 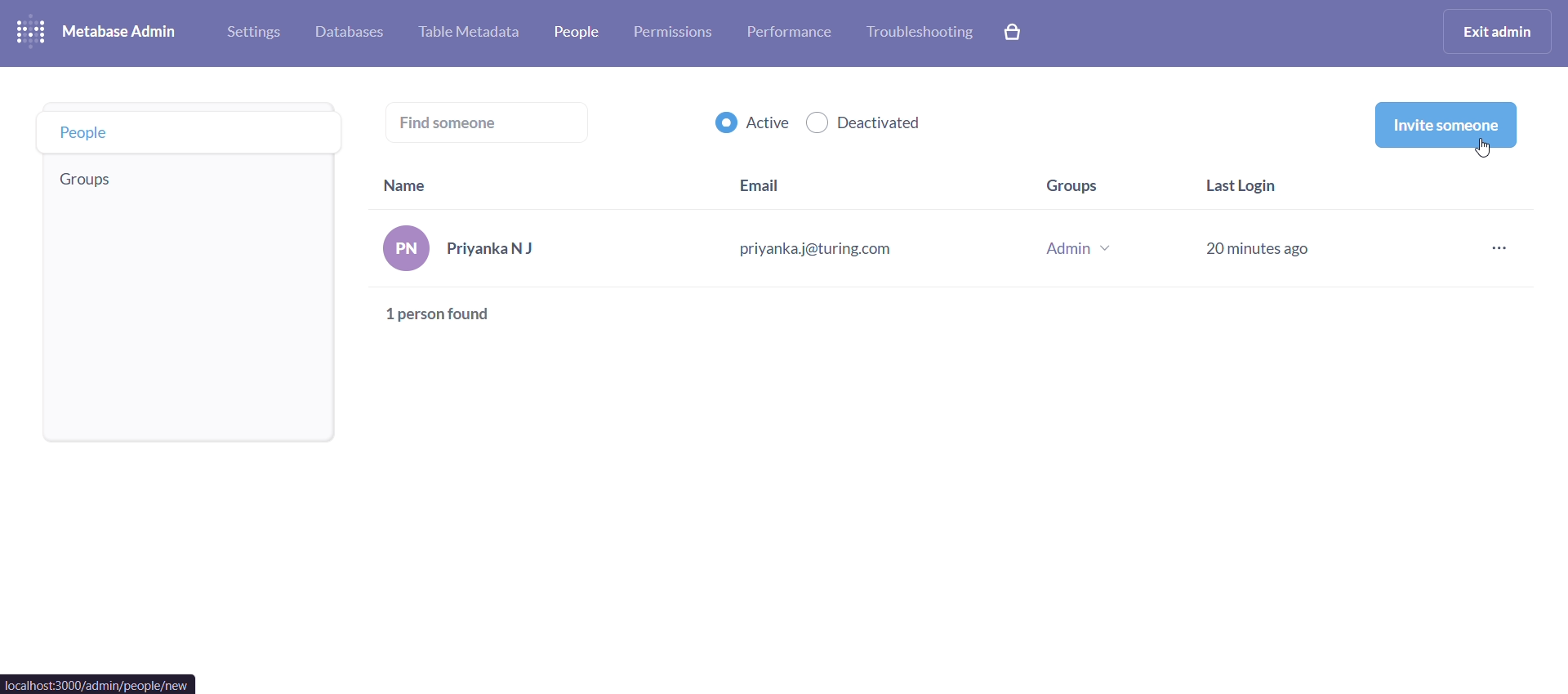 I want to click on name, so click(x=412, y=185).